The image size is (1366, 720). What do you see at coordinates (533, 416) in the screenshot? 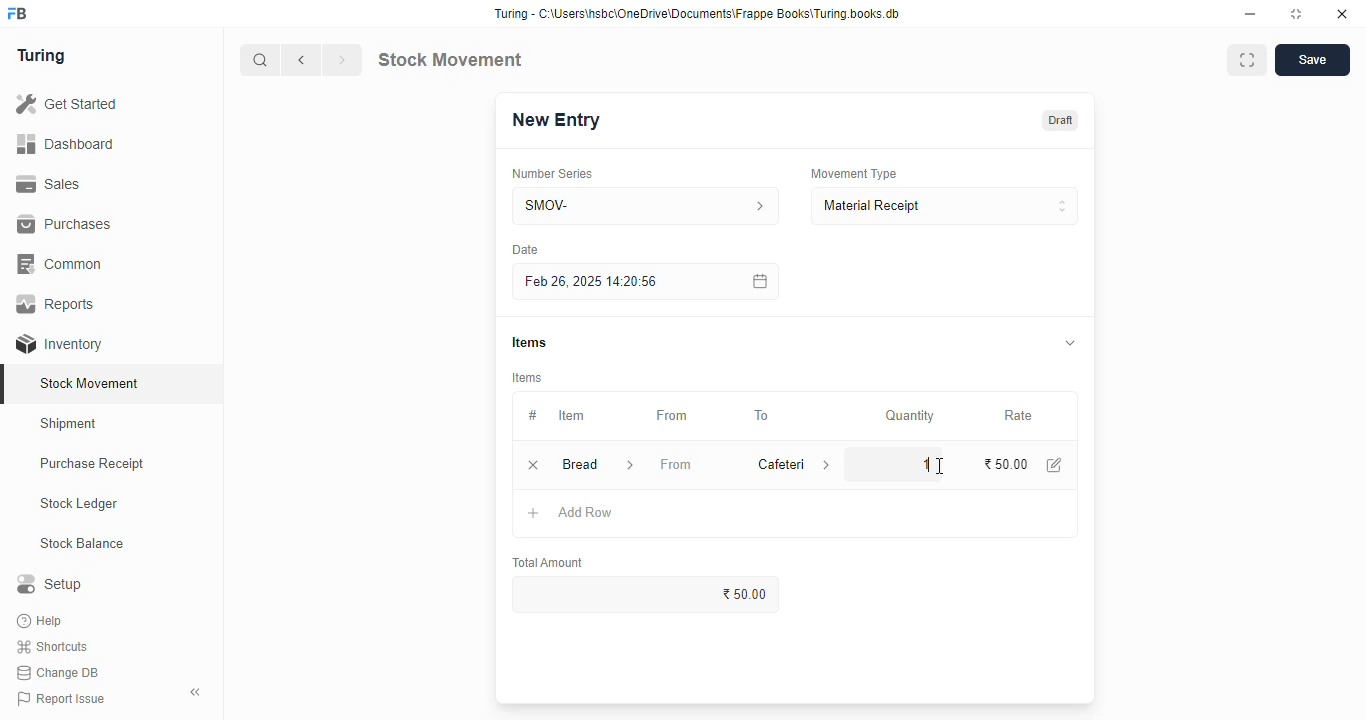
I see `#` at bounding box center [533, 416].